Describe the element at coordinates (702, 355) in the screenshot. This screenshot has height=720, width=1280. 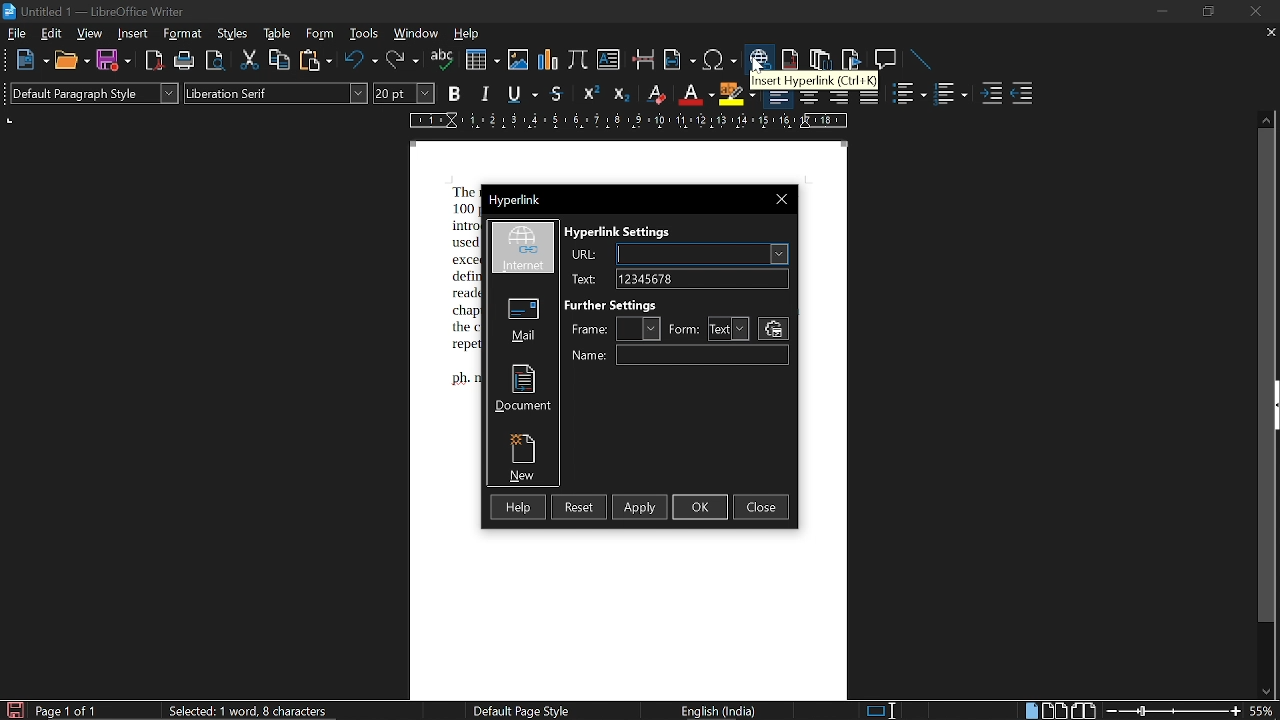
I see `name` at that location.